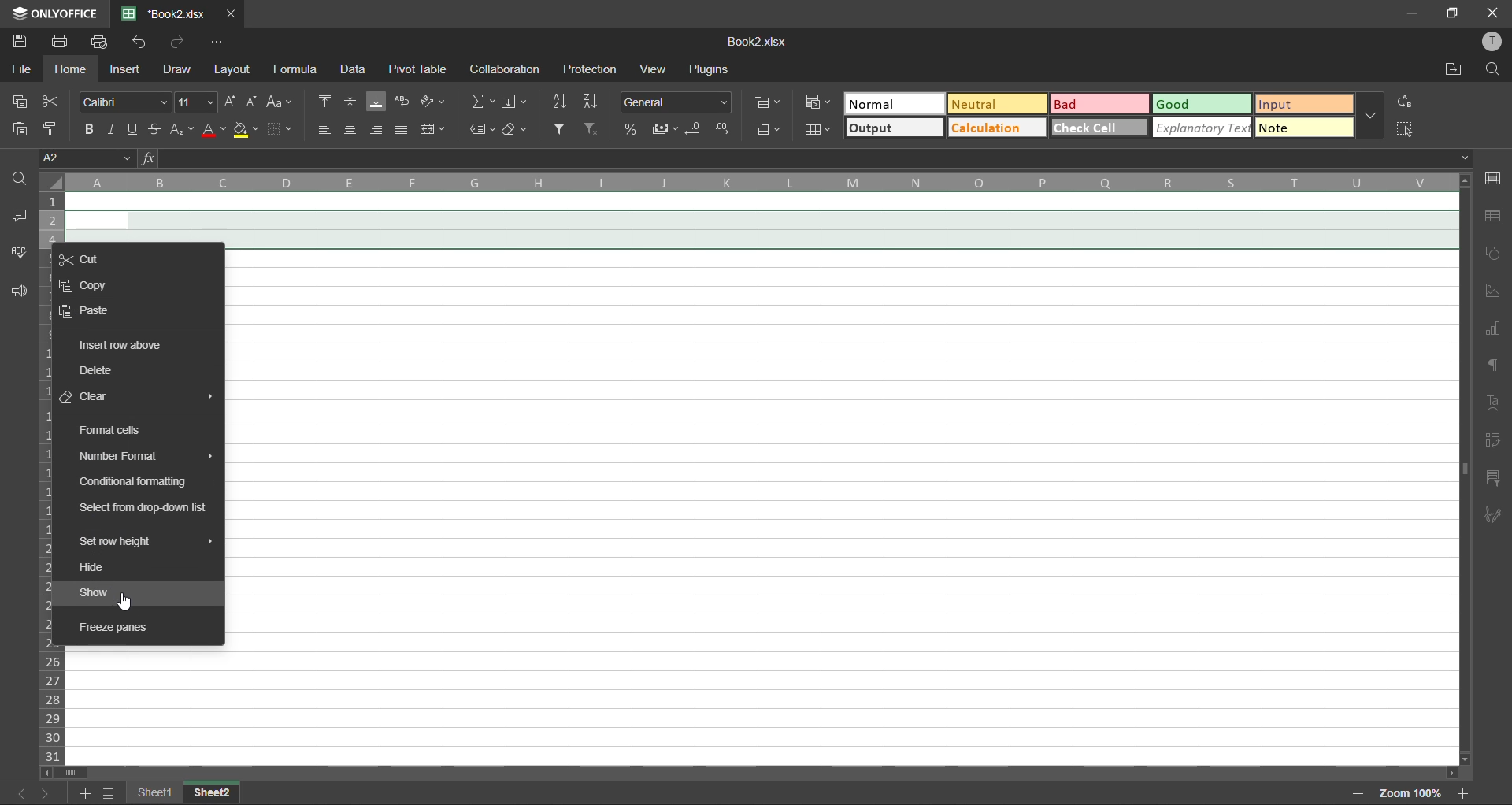  Describe the element at coordinates (1493, 514) in the screenshot. I see `signature` at that location.